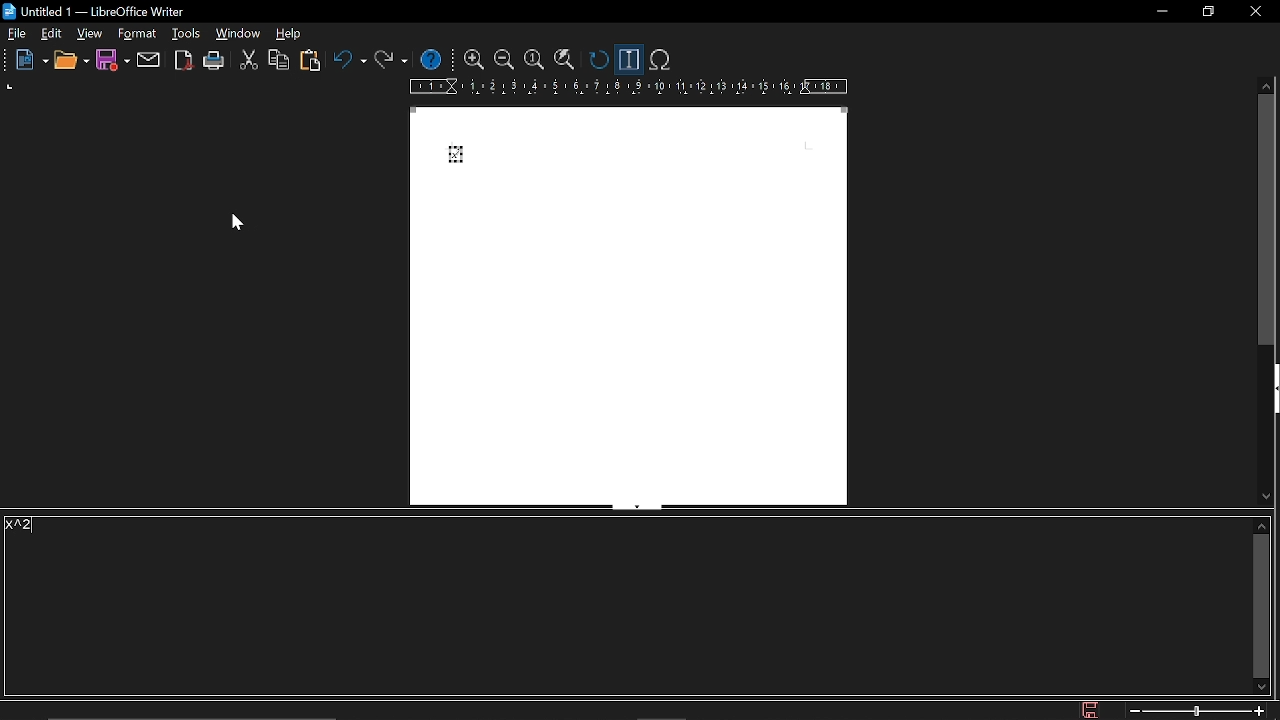  Describe the element at coordinates (628, 60) in the screenshot. I see `formula cursor` at that location.